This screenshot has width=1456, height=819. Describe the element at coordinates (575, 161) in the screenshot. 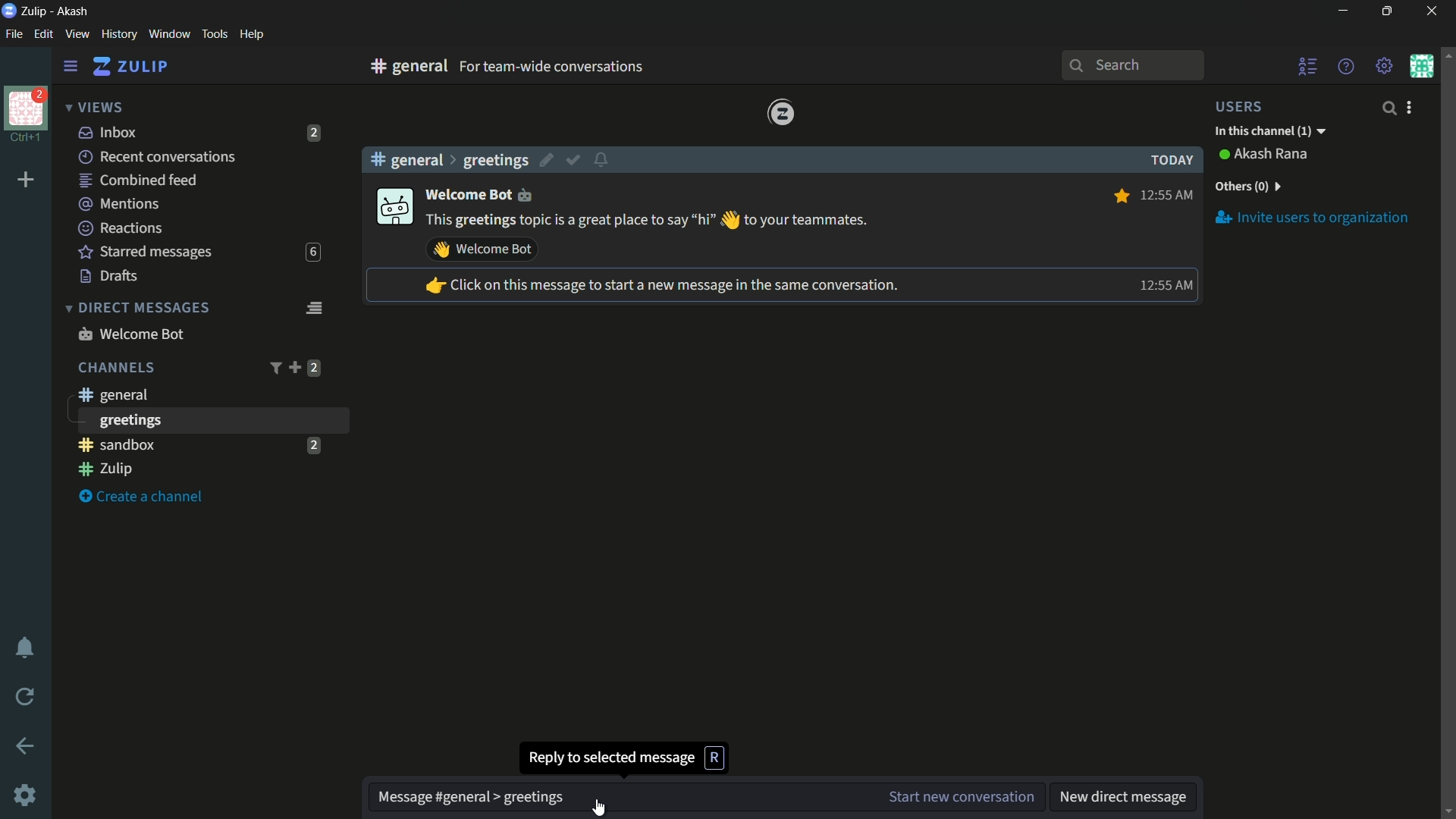

I see `mark as resolved` at that location.